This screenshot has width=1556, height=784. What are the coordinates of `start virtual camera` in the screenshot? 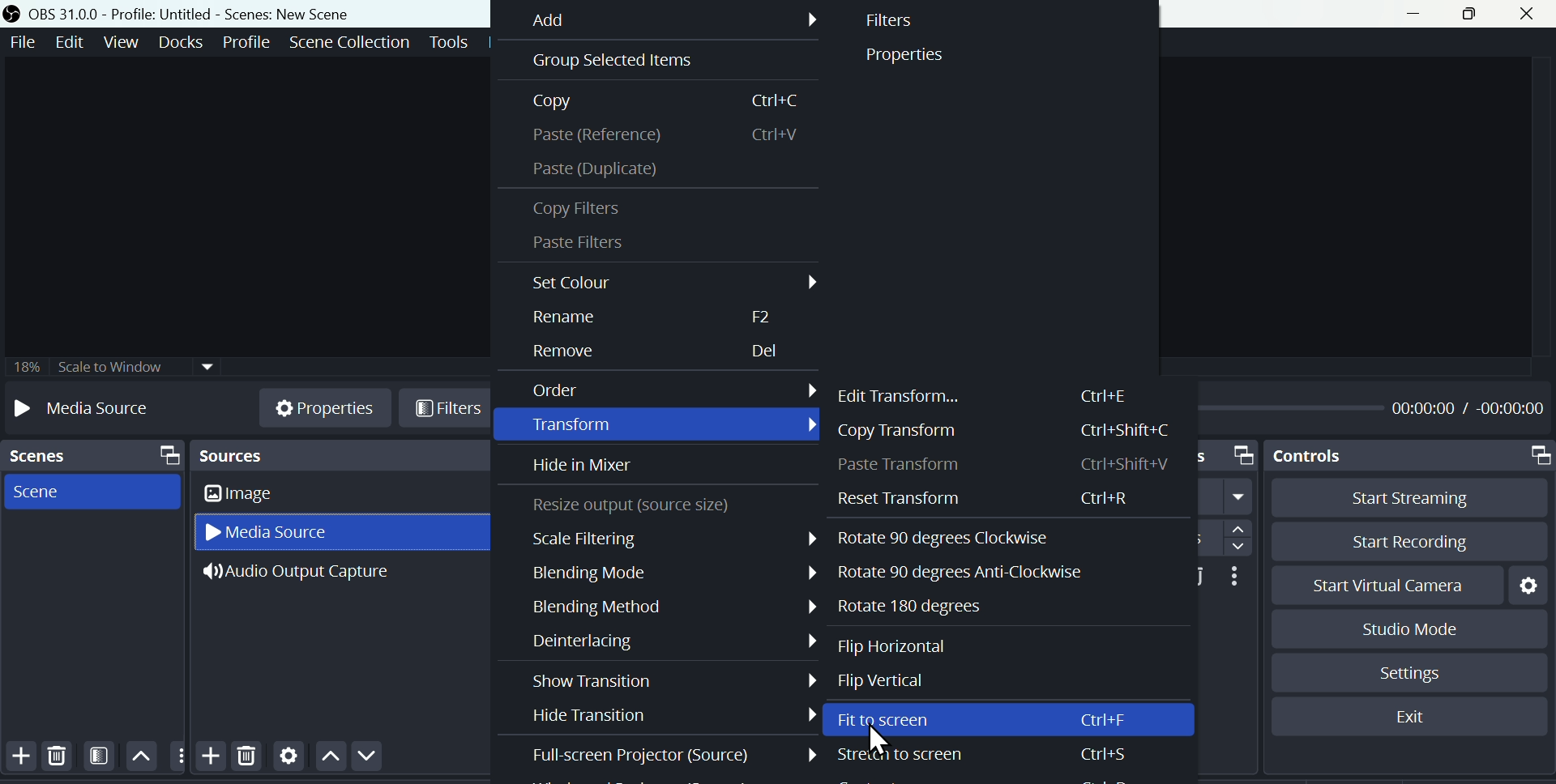 It's located at (1379, 585).